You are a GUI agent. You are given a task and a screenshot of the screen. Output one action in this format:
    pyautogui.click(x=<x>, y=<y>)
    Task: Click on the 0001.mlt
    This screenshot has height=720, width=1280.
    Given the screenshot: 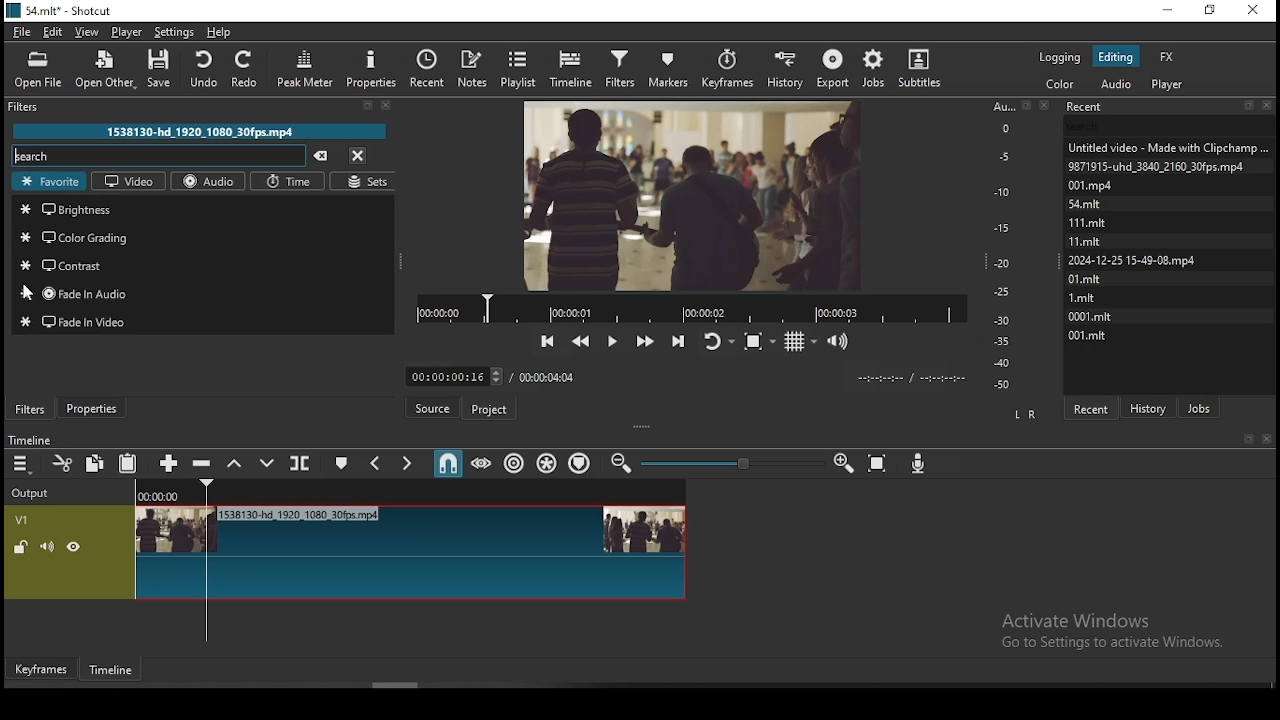 What is the action you would take?
    pyautogui.click(x=1092, y=315)
    